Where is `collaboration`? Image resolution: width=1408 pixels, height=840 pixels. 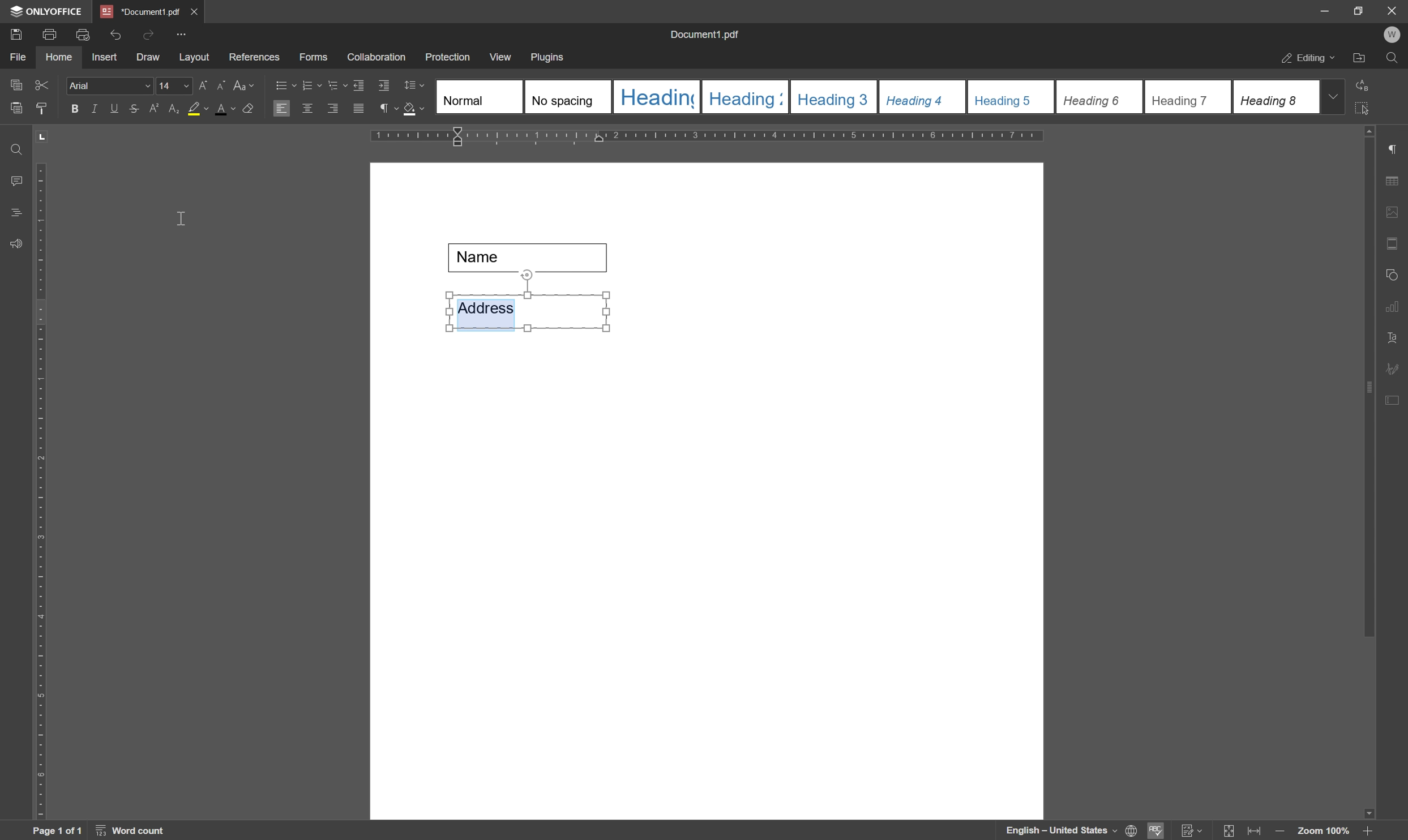 collaboration is located at coordinates (378, 58).